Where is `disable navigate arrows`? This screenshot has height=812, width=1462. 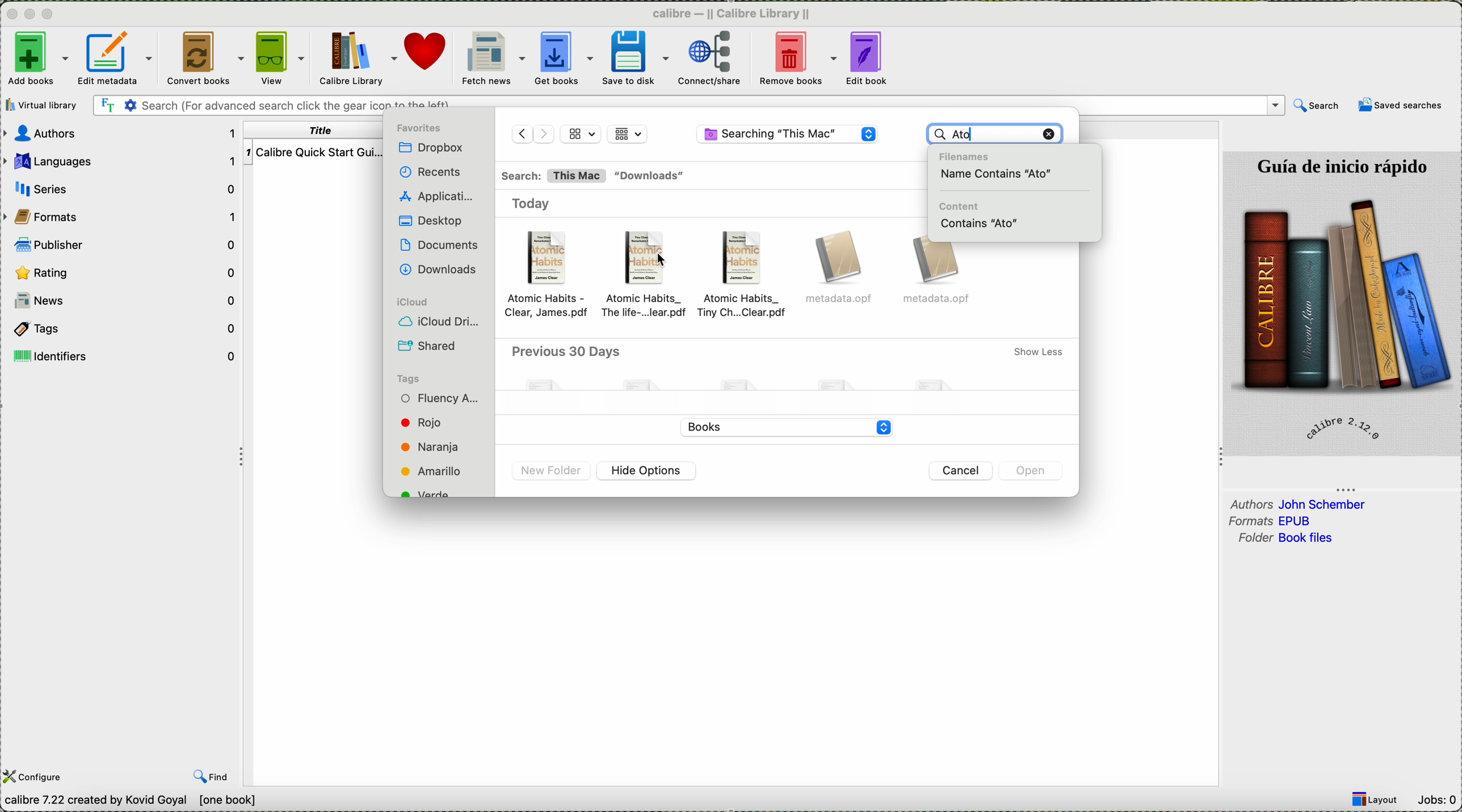
disable navigate arrows is located at coordinates (532, 132).